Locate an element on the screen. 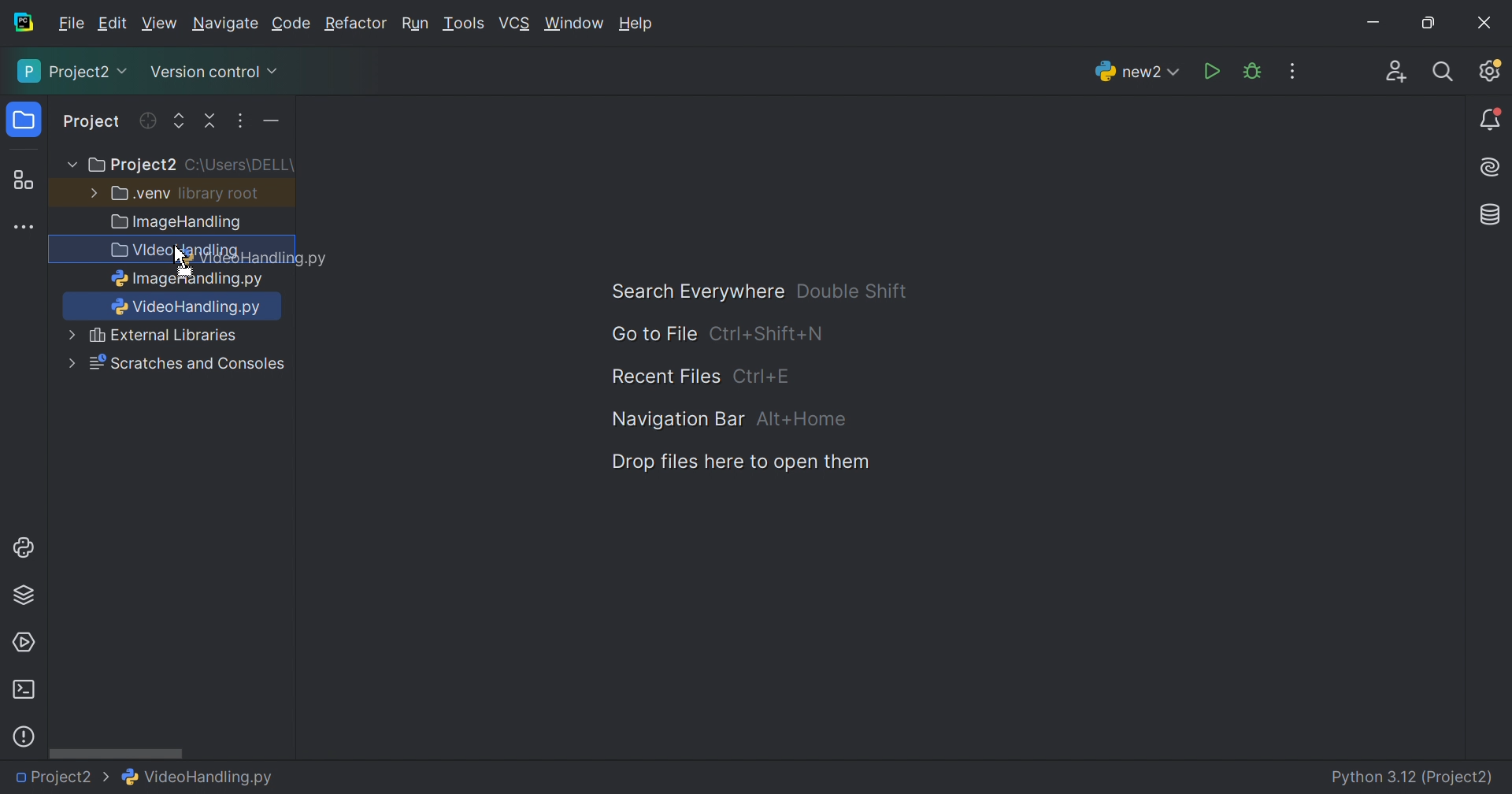 This screenshot has height=794, width=1512. VCS is located at coordinates (516, 24).